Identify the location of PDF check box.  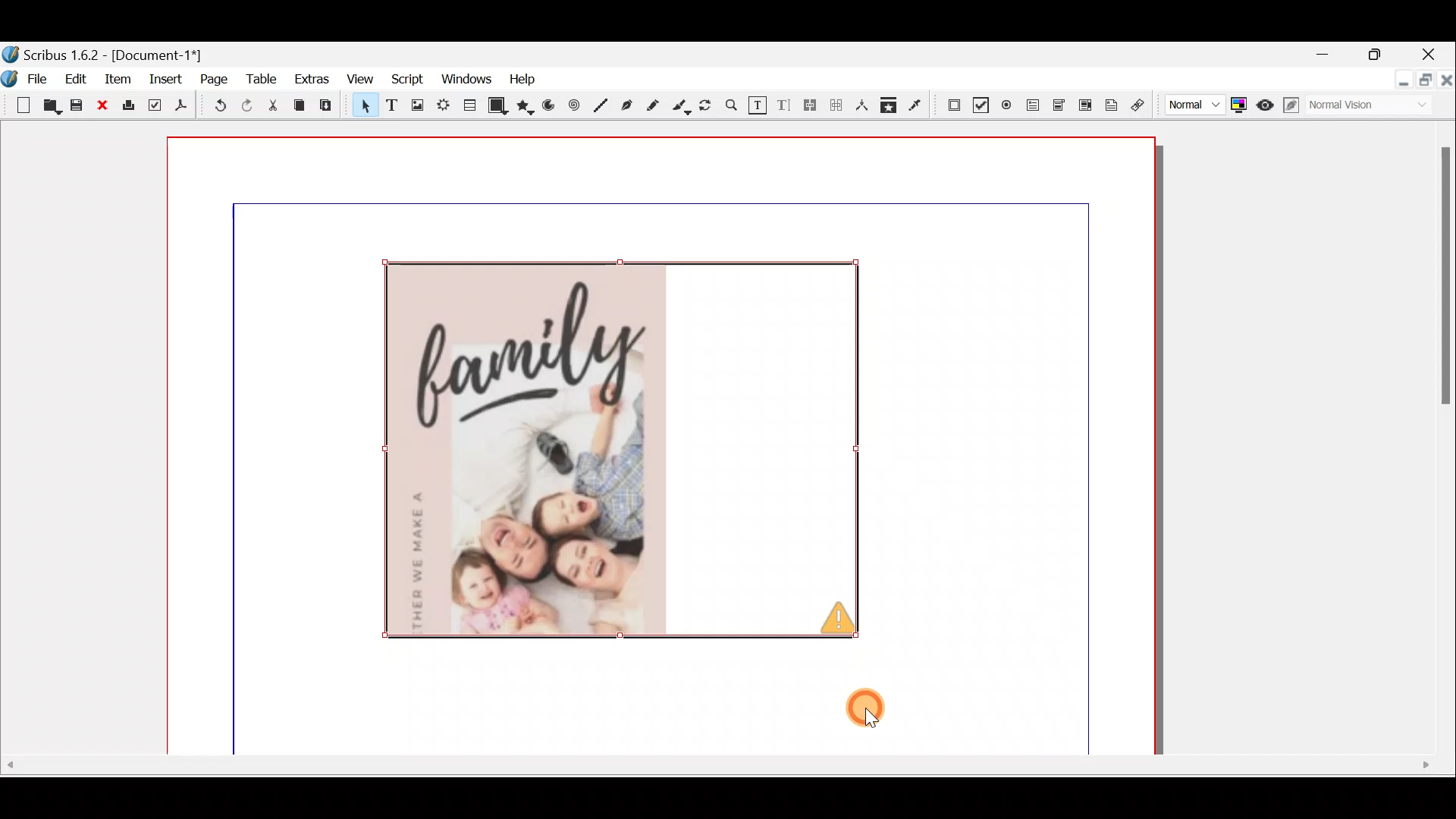
(978, 104).